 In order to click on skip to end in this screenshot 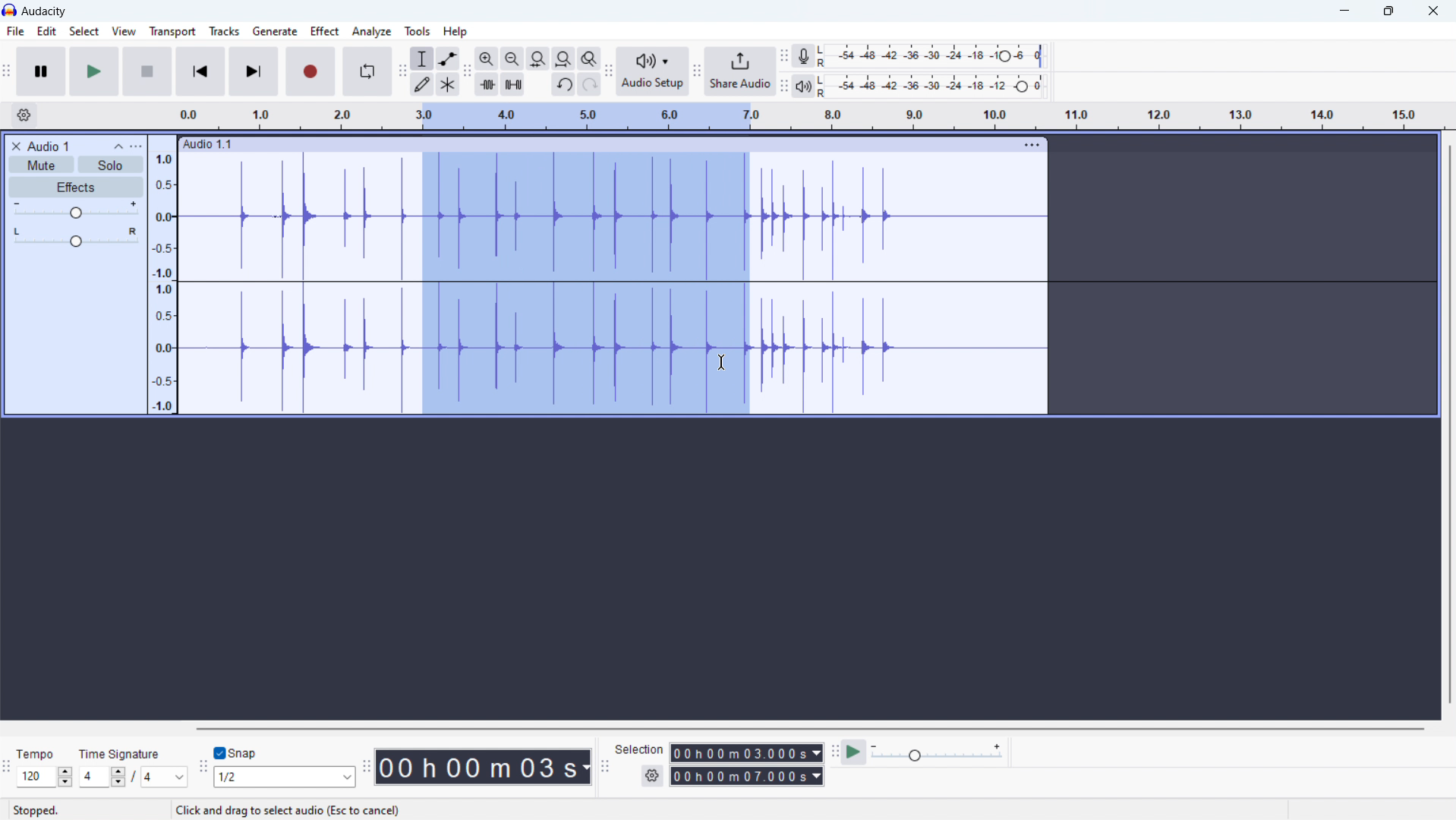, I will do `click(254, 71)`.